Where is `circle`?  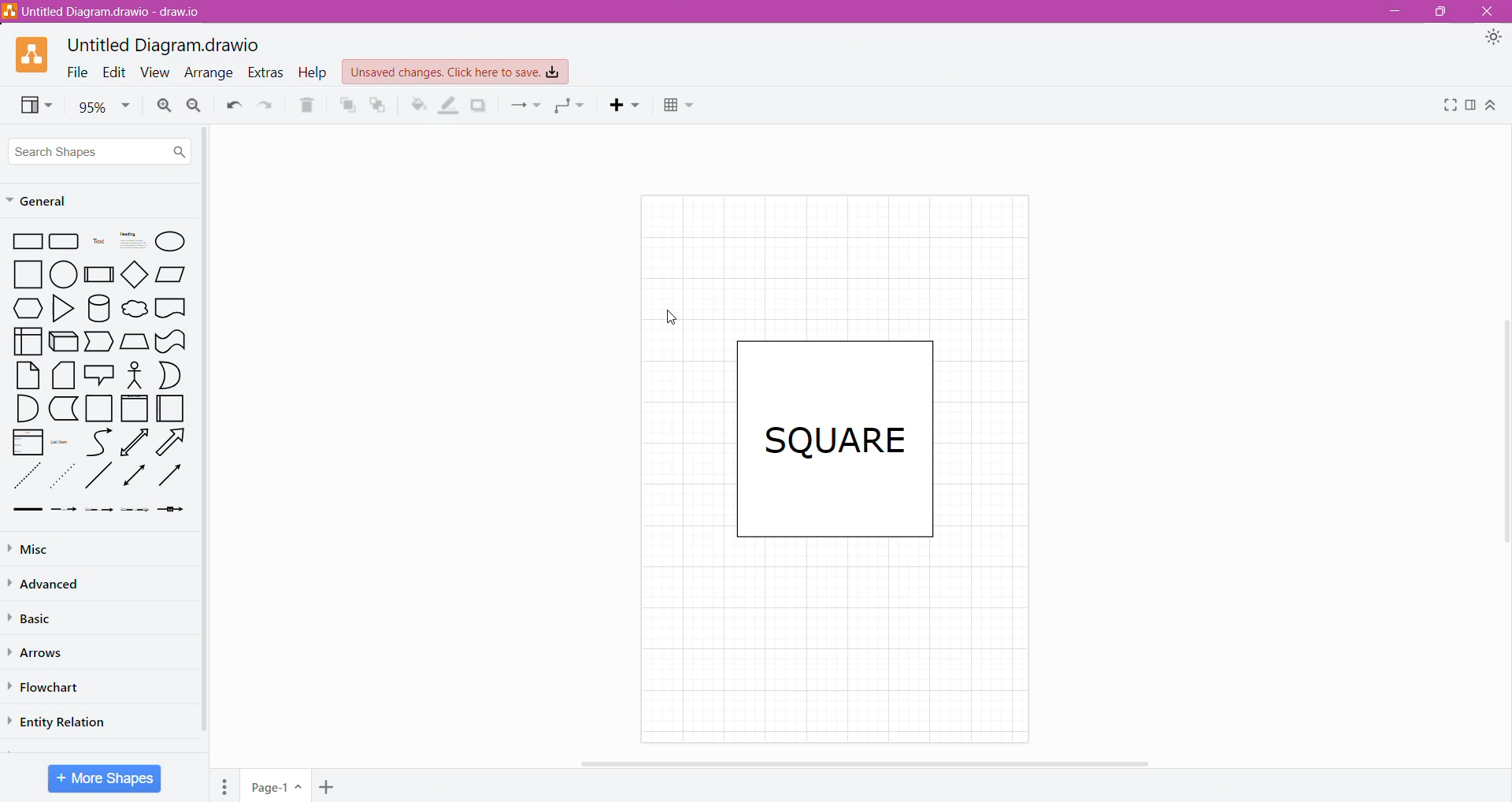 circle is located at coordinates (64, 273).